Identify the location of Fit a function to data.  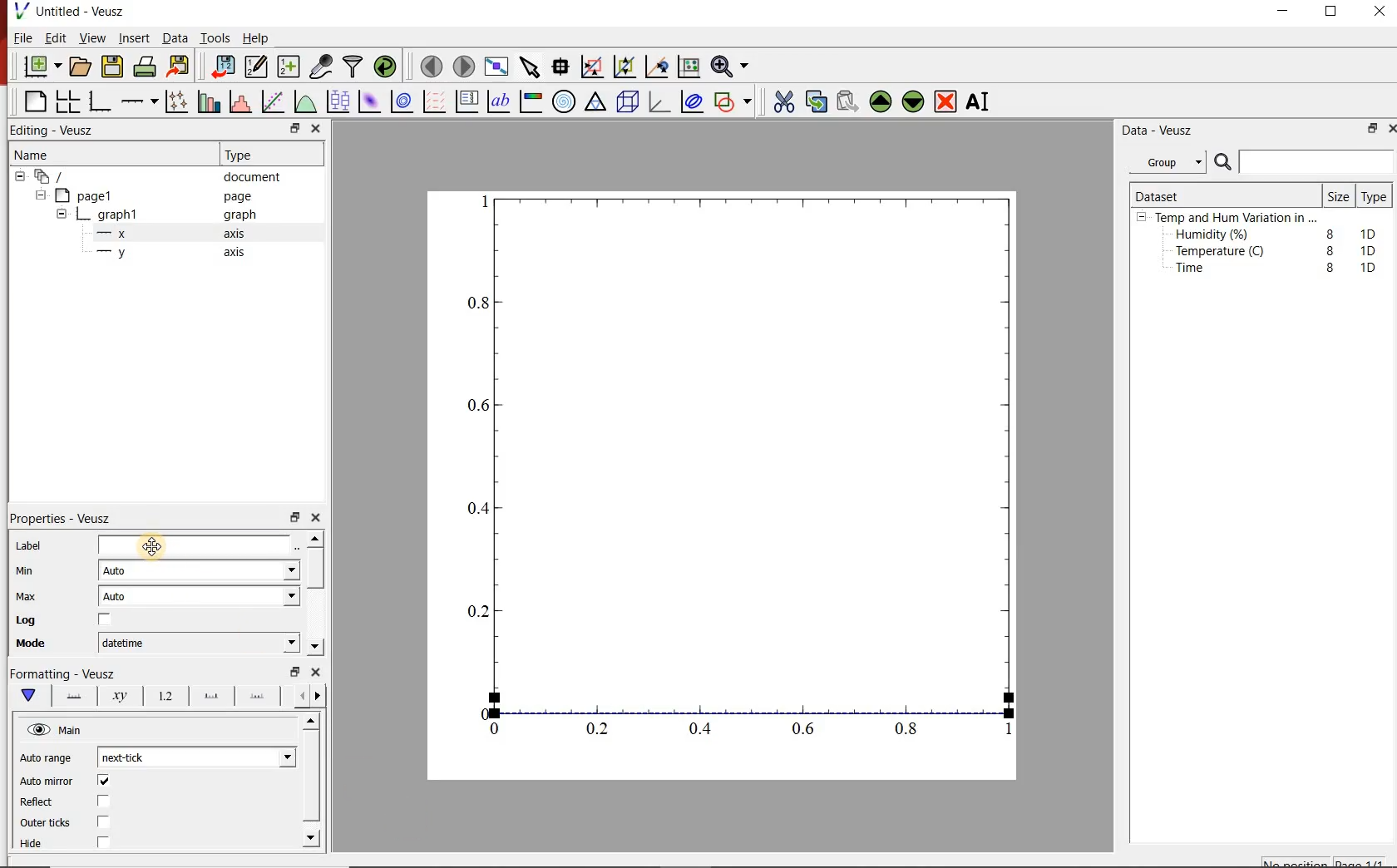
(274, 101).